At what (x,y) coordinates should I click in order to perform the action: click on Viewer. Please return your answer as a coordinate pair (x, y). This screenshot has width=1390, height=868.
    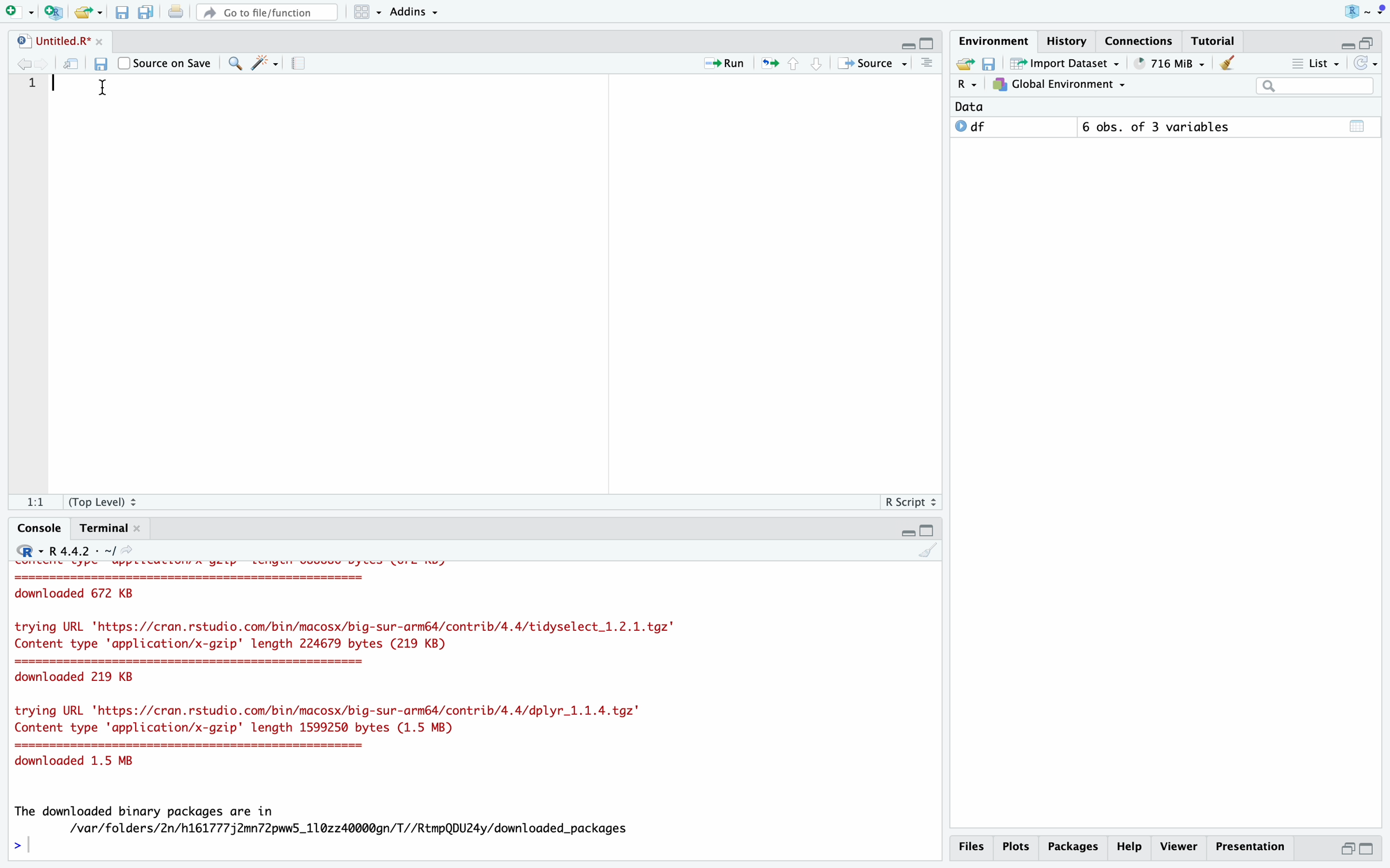
    Looking at the image, I should click on (1180, 847).